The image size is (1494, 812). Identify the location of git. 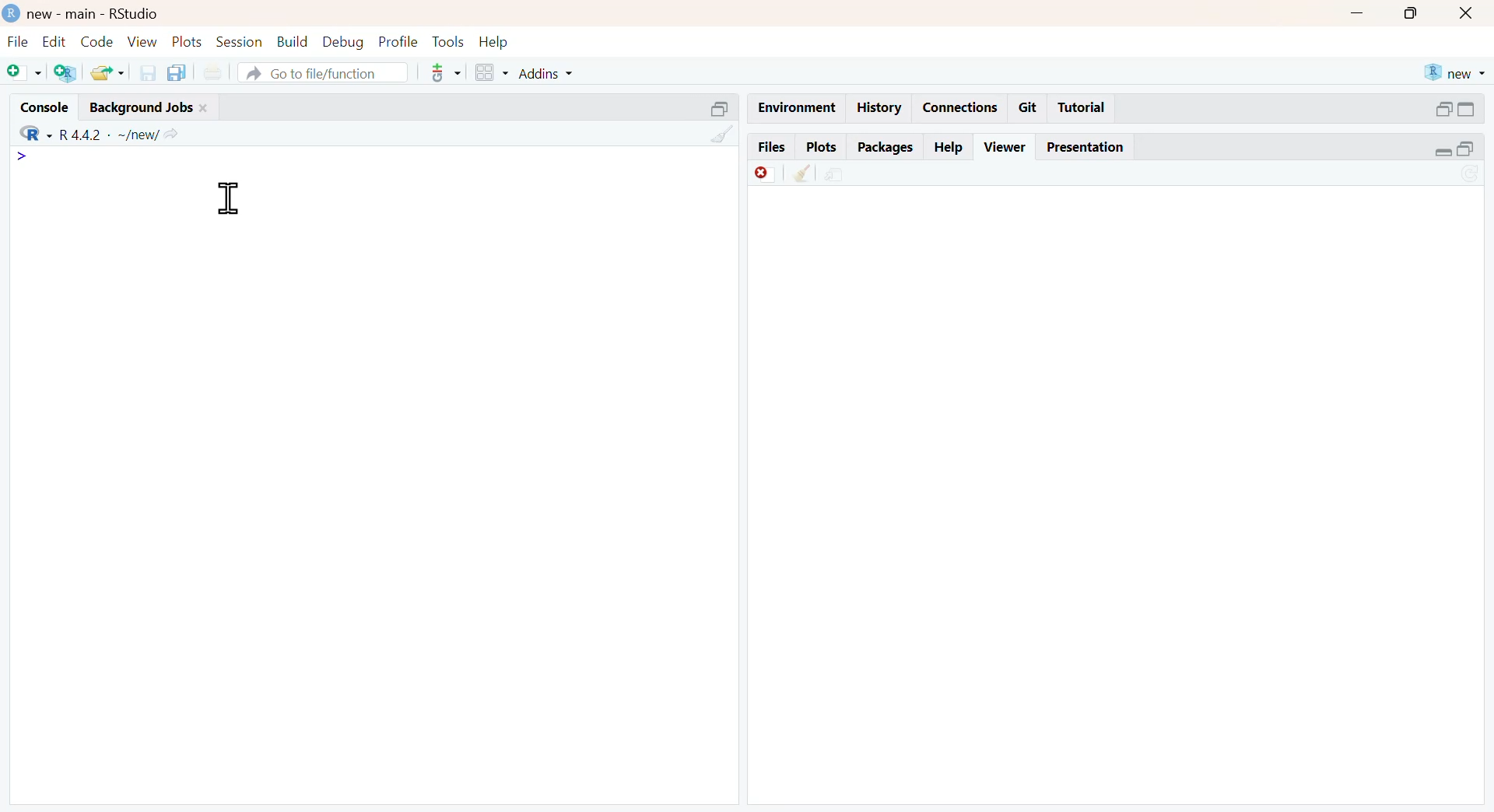
(1029, 107).